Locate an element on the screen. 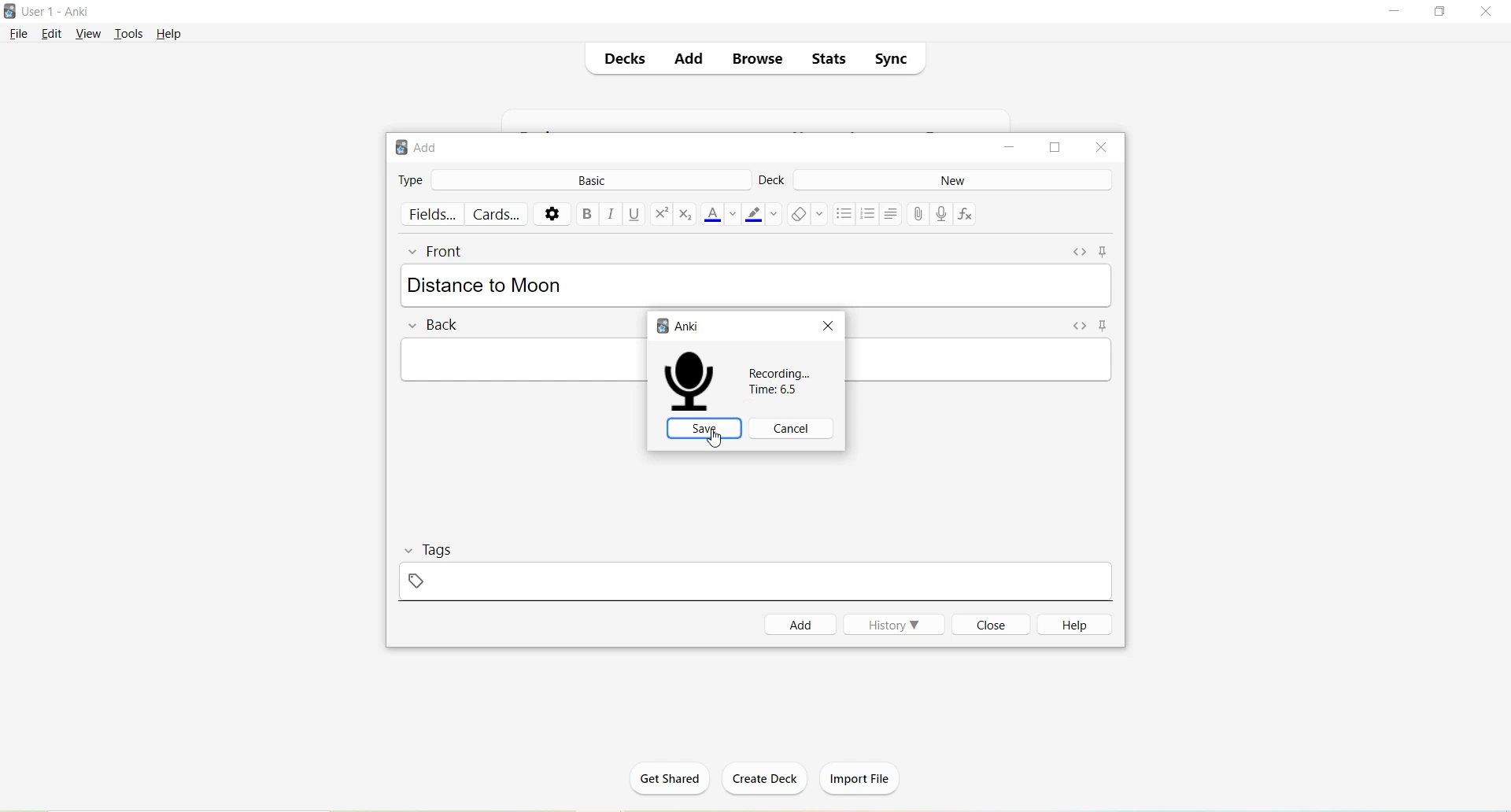 The image size is (1511, 812). Text Field is located at coordinates (523, 359).